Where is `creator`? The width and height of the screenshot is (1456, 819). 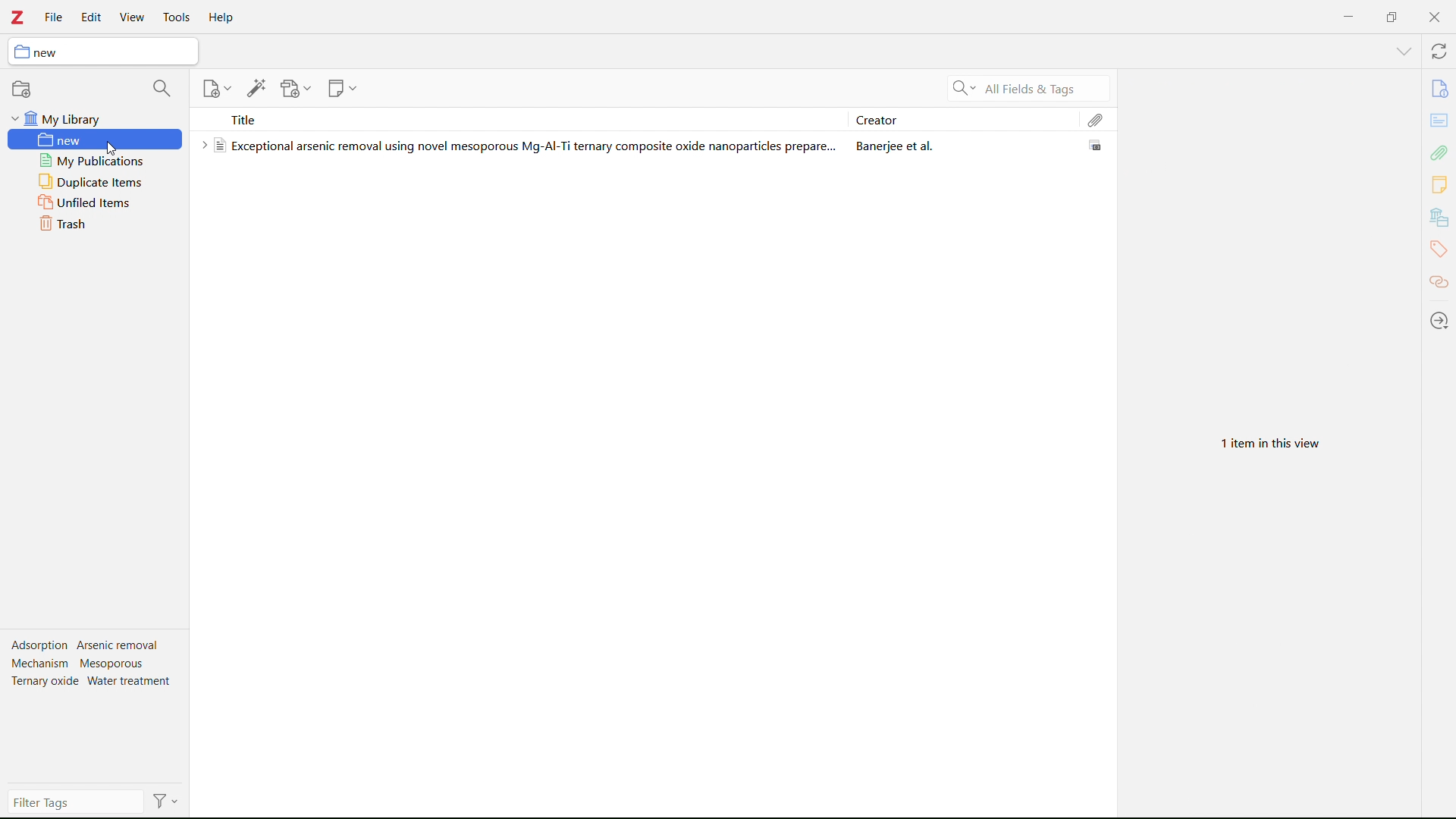
creator is located at coordinates (964, 118).